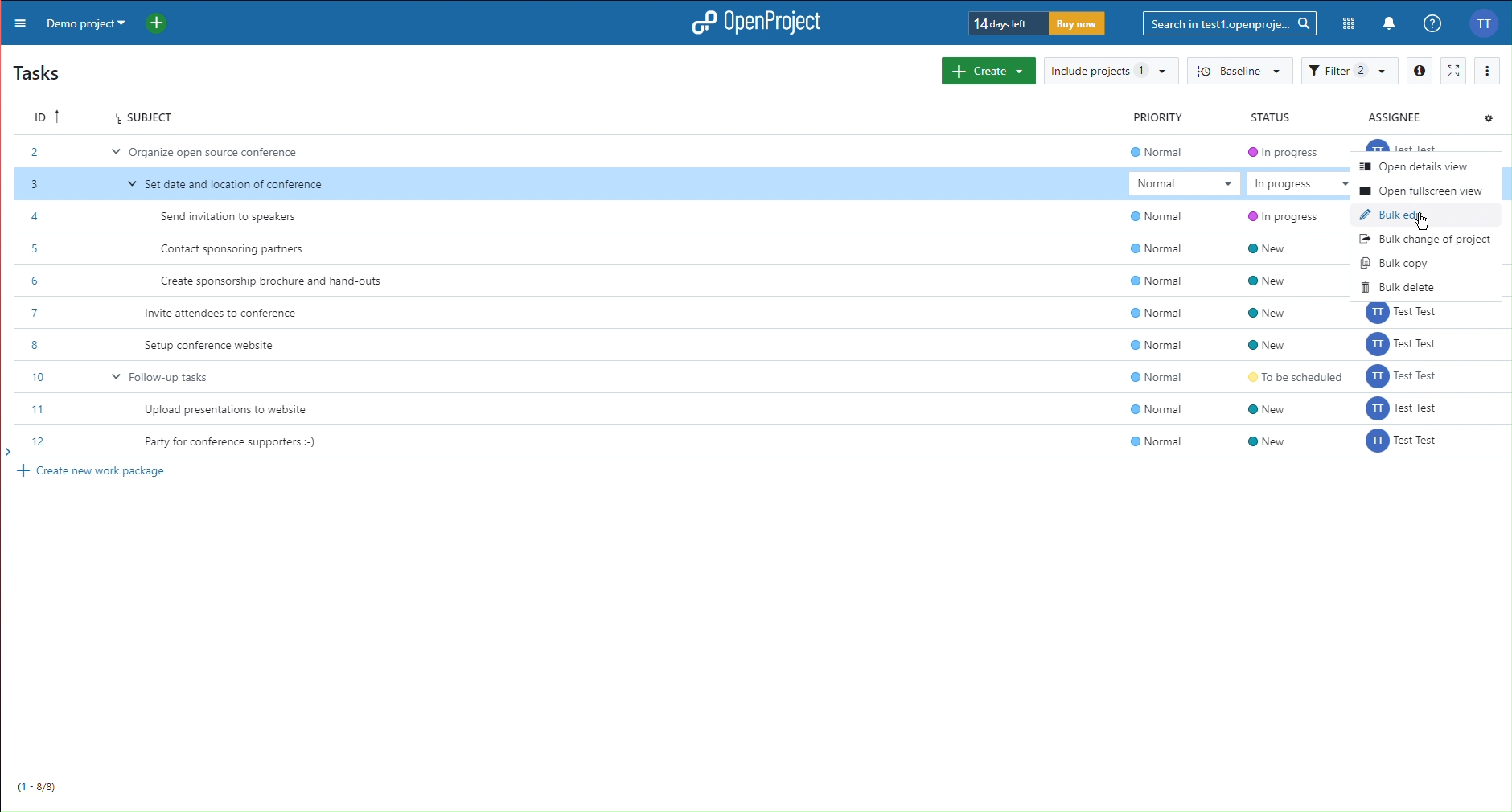 The width and height of the screenshot is (1512, 812). Describe the element at coordinates (1404, 287) in the screenshot. I see `Bulk delete` at that location.